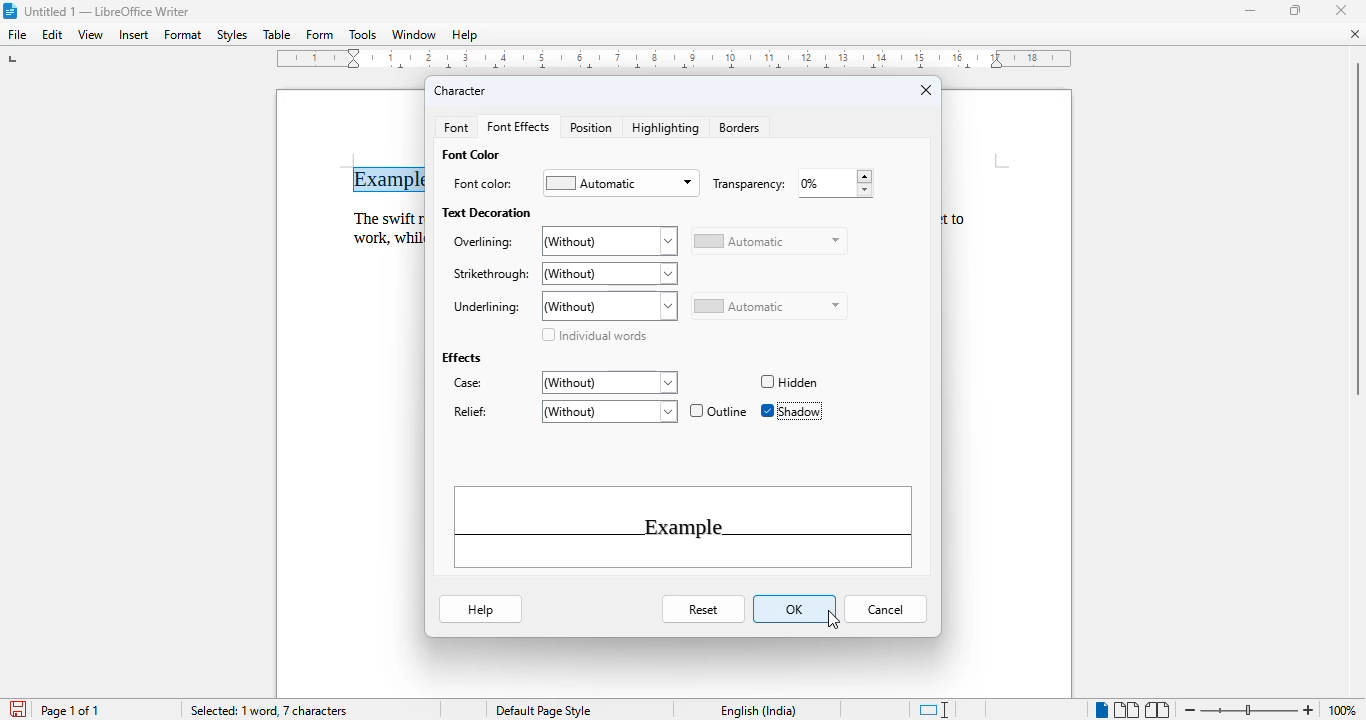  Describe the element at coordinates (460, 91) in the screenshot. I see `character` at that location.